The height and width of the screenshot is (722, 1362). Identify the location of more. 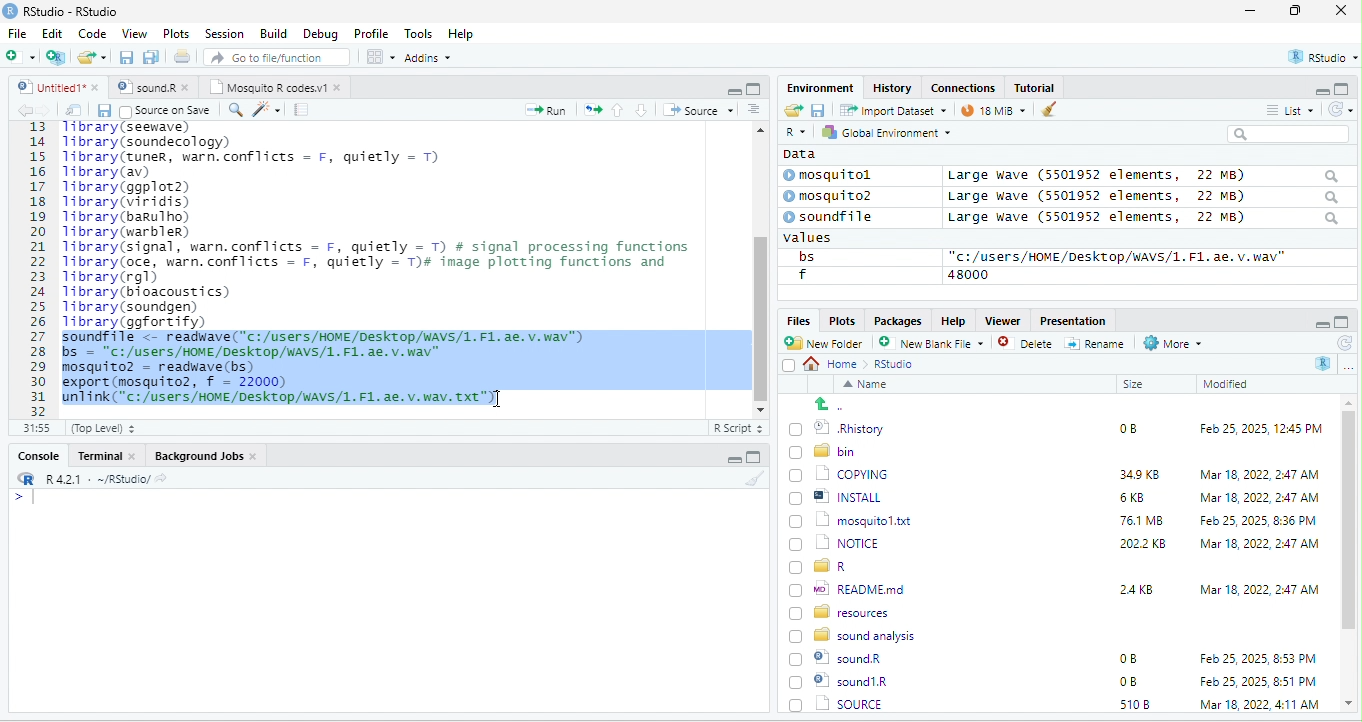
(1348, 366).